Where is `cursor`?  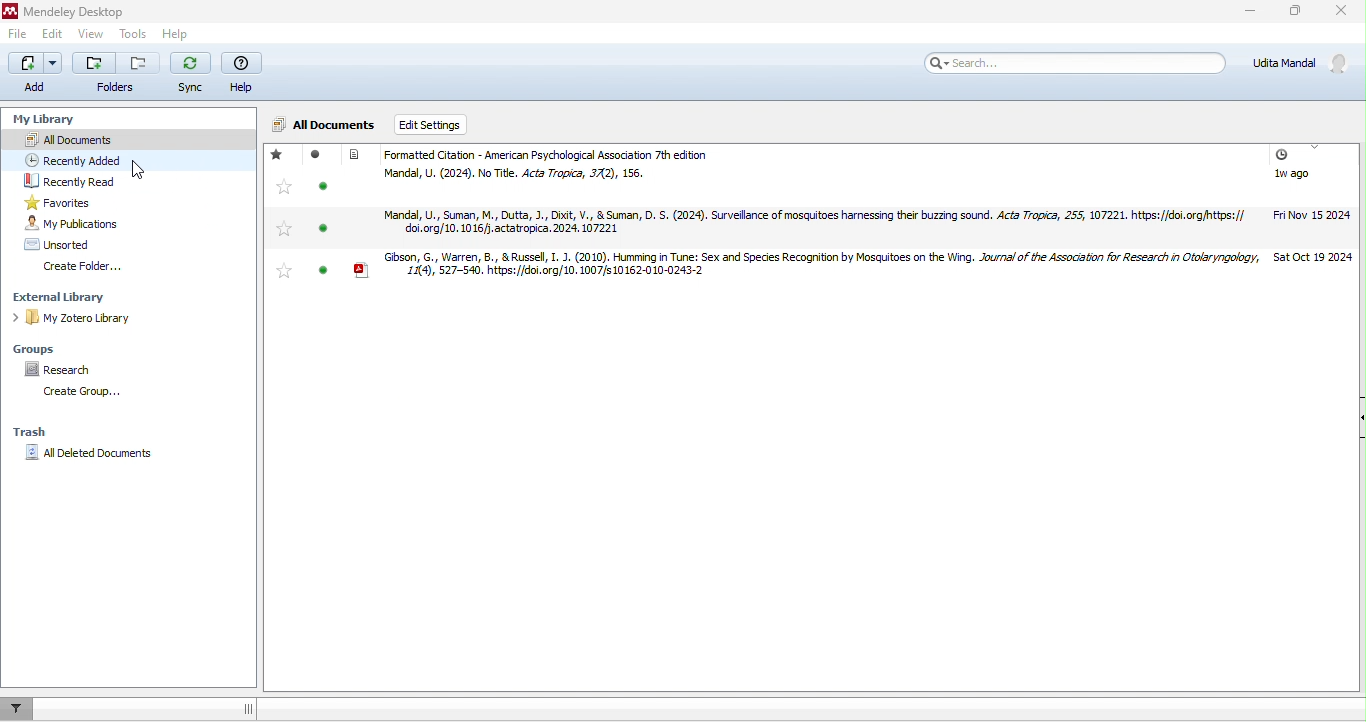
cursor is located at coordinates (139, 171).